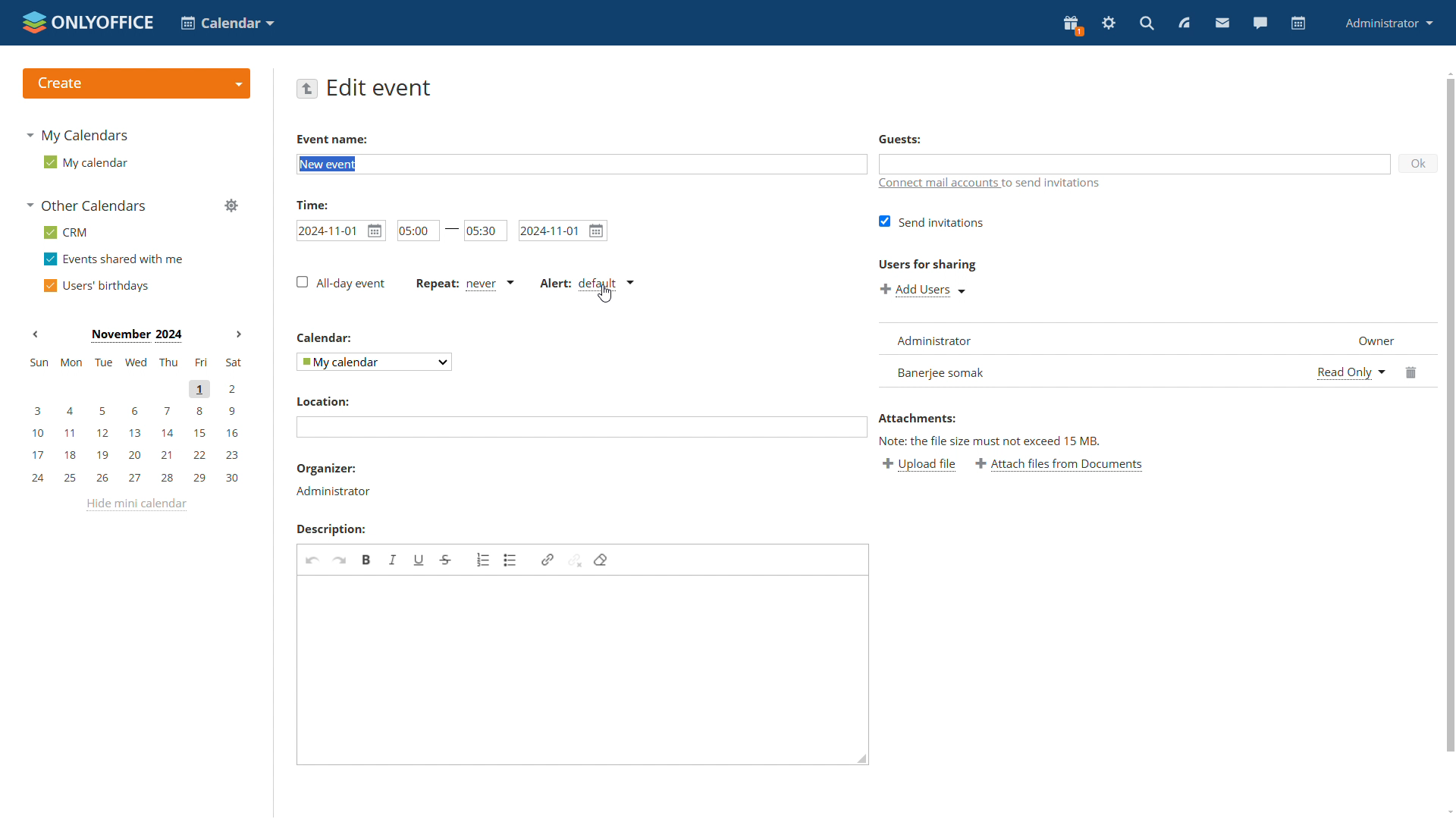 This screenshot has height=819, width=1456. What do you see at coordinates (135, 334) in the screenshot?
I see `Month on display` at bounding box center [135, 334].